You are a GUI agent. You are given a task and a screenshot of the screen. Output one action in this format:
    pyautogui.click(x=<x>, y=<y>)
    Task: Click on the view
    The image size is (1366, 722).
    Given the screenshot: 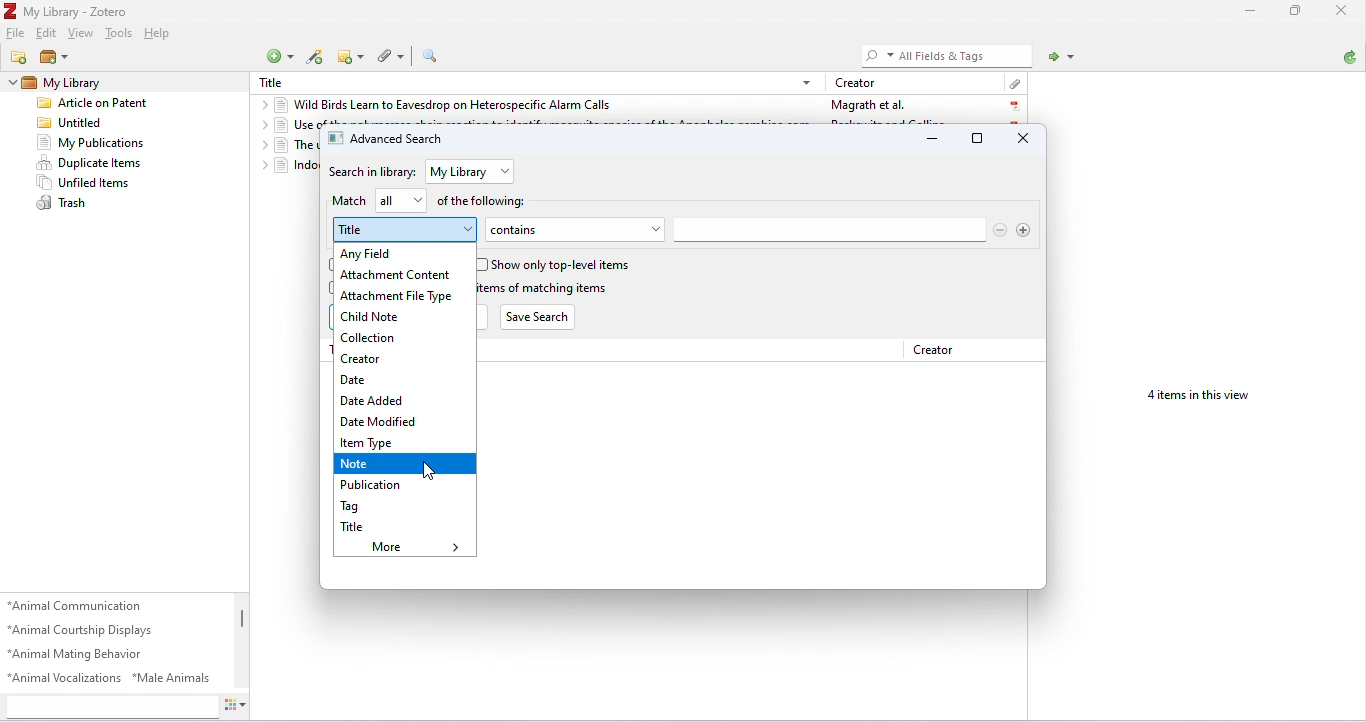 What is the action you would take?
    pyautogui.click(x=82, y=34)
    